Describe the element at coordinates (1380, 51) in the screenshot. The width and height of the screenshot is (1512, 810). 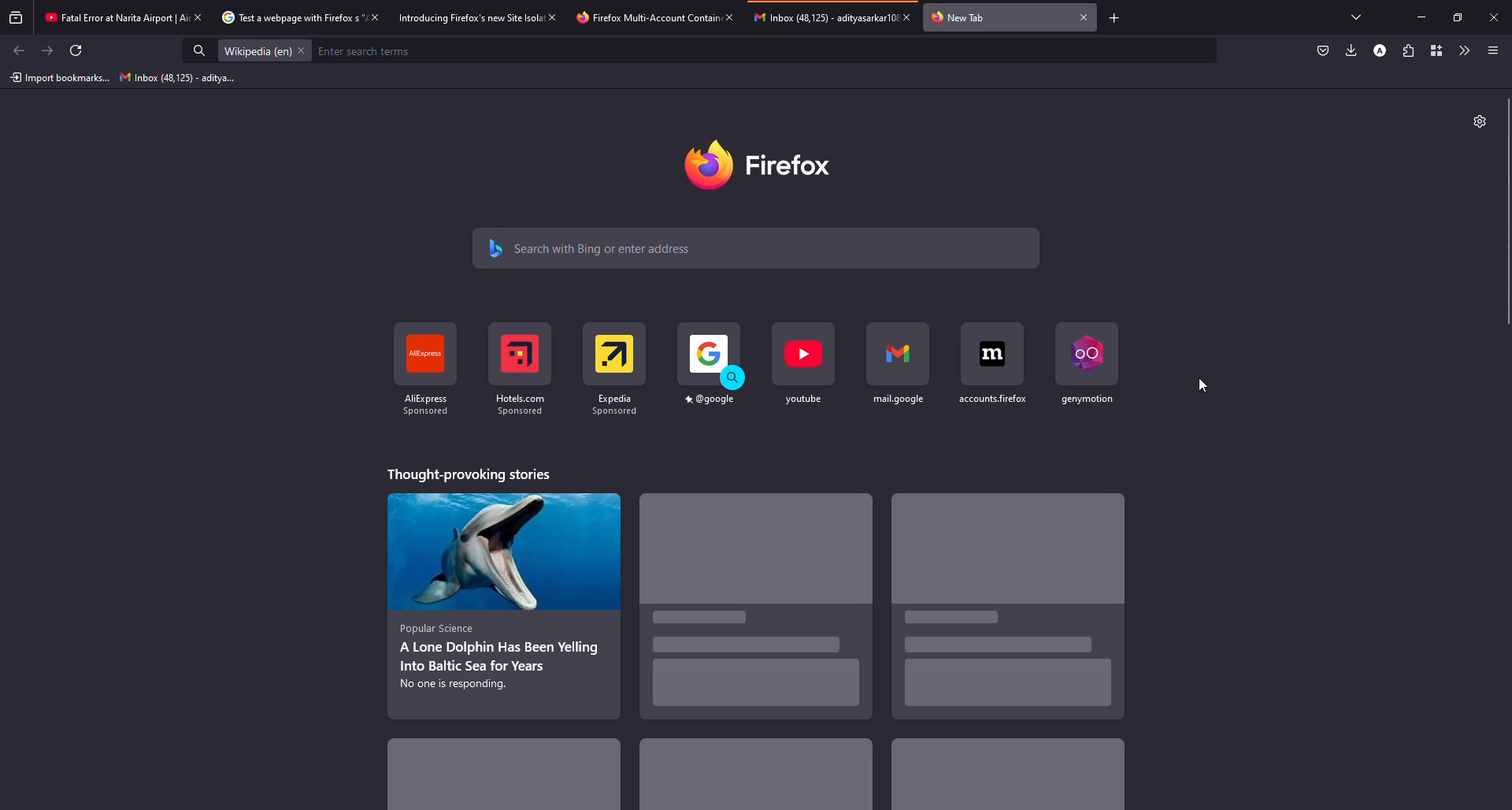
I see `profile` at that location.